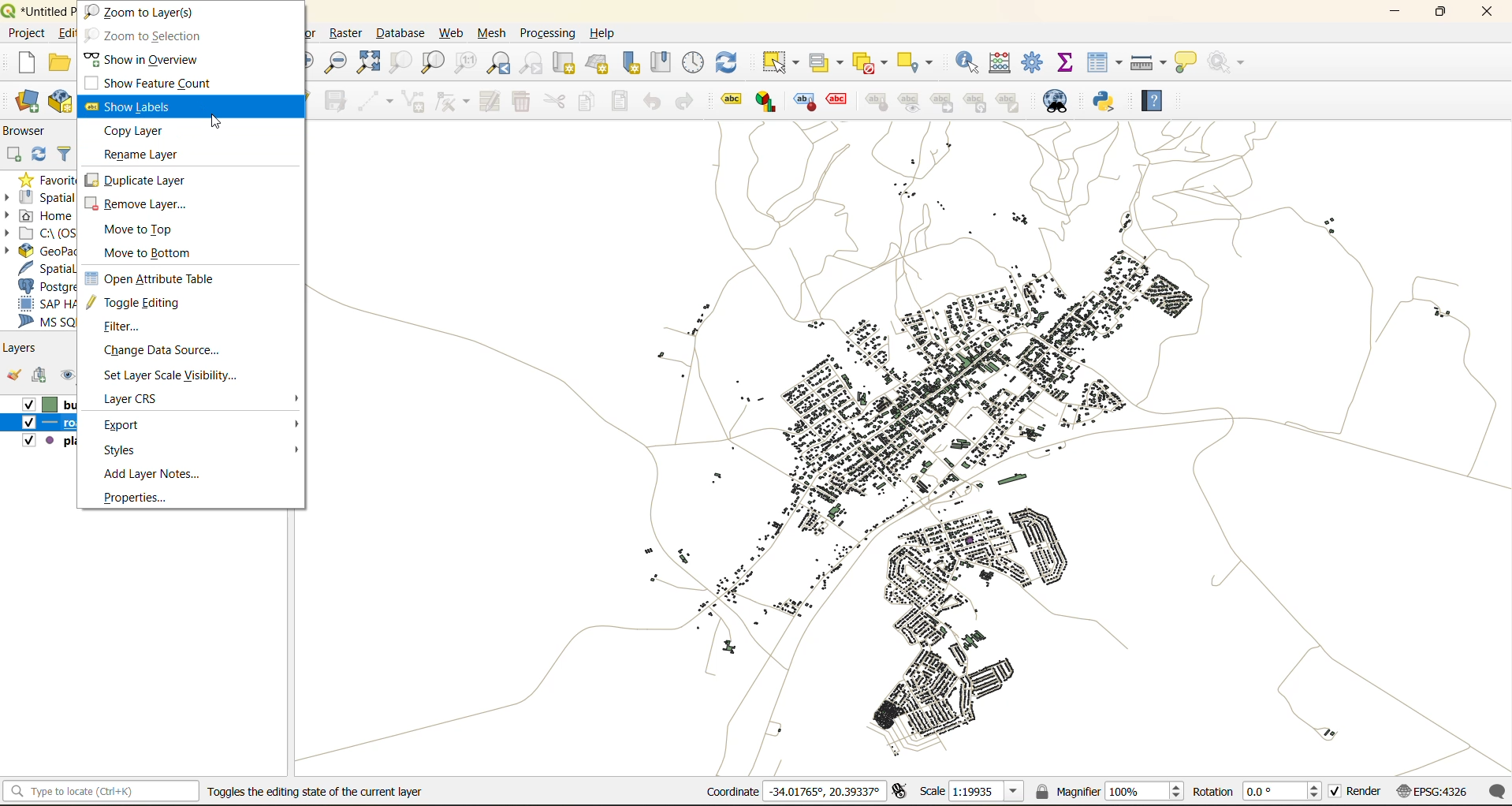 This screenshot has height=806, width=1512. Describe the element at coordinates (335, 61) in the screenshot. I see `zoom out` at that location.